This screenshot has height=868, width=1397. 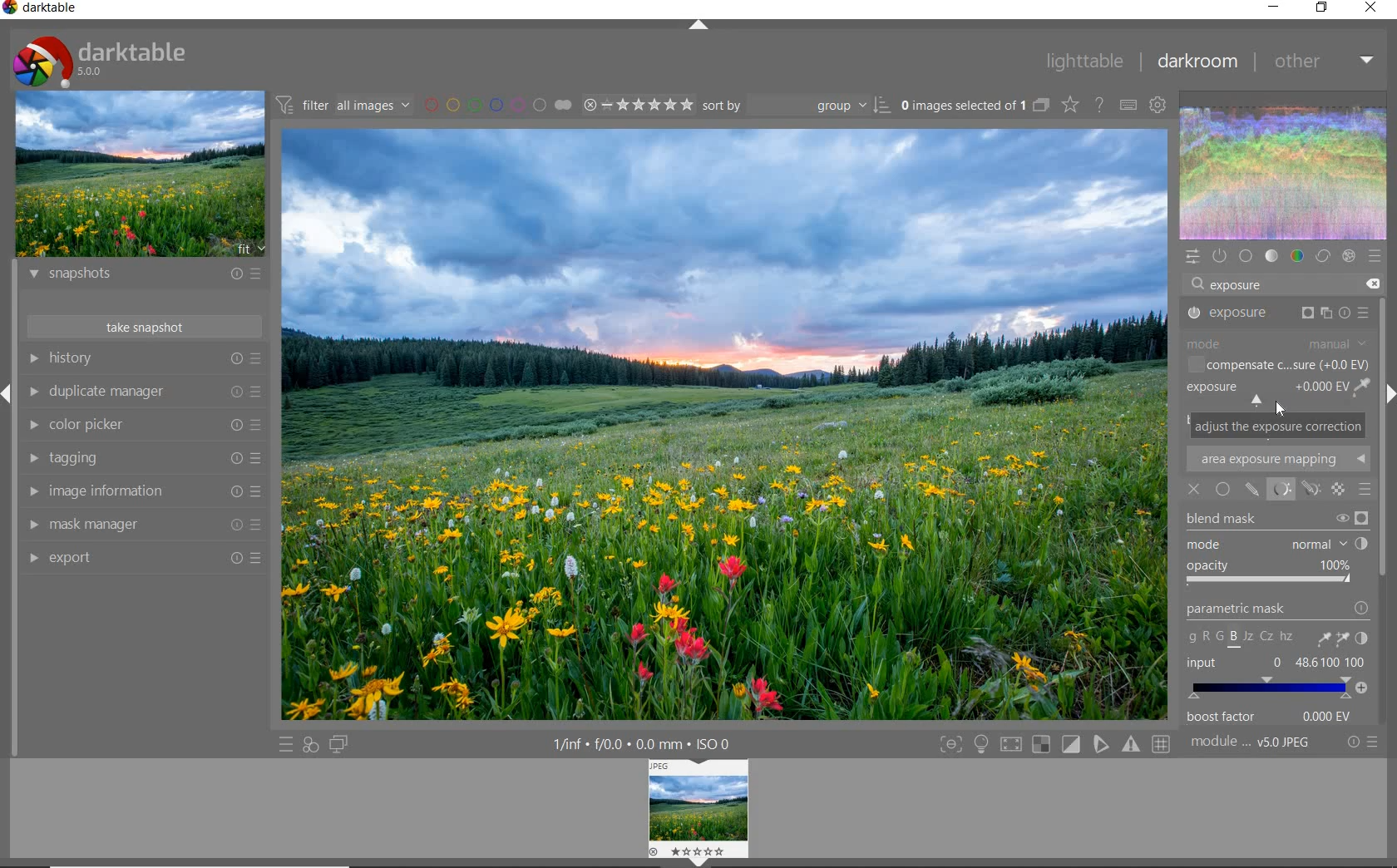 I want to click on expand/collapse, so click(x=702, y=28).